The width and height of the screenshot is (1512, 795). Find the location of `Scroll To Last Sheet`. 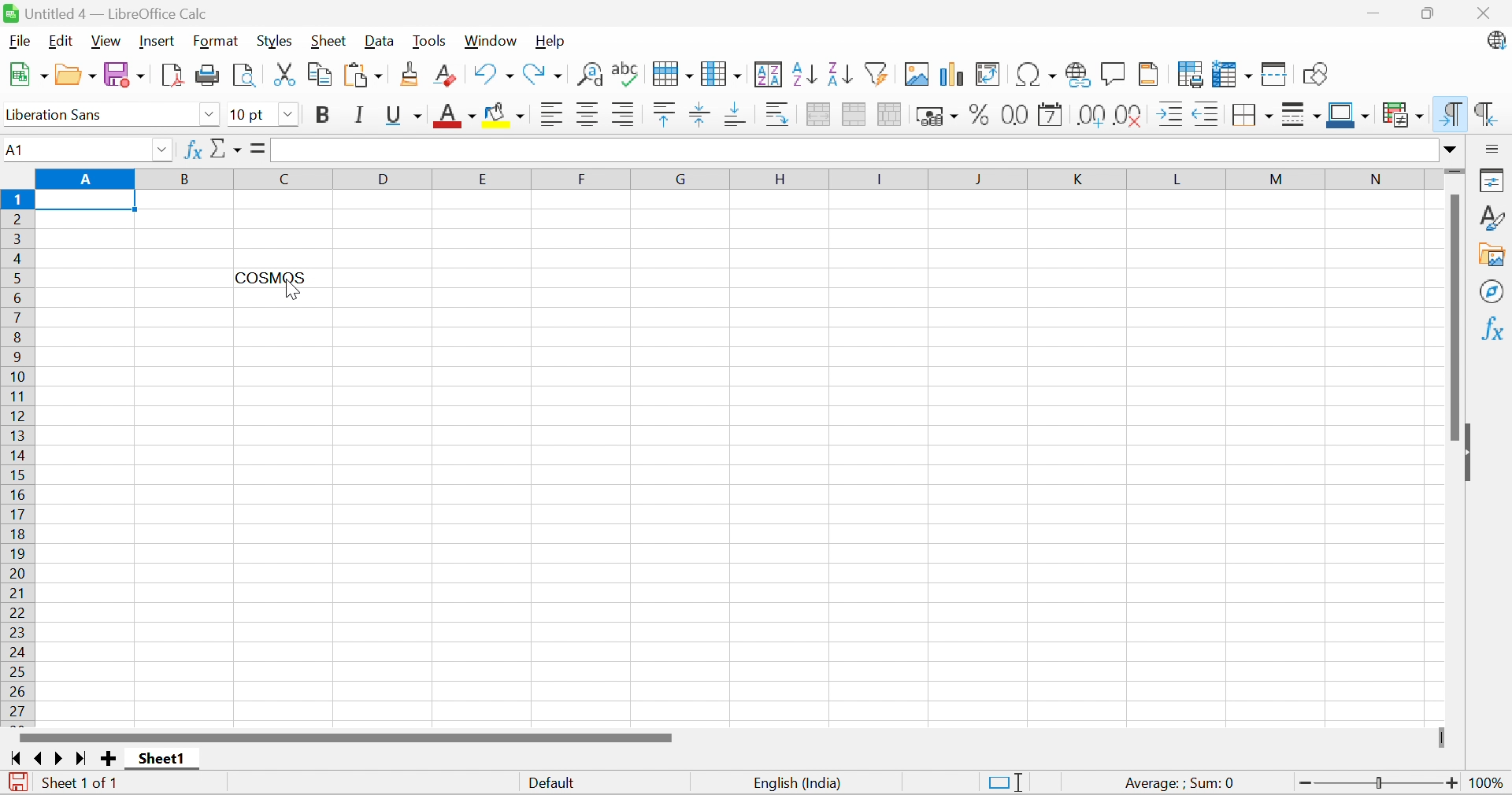

Scroll To Last Sheet is located at coordinates (82, 757).